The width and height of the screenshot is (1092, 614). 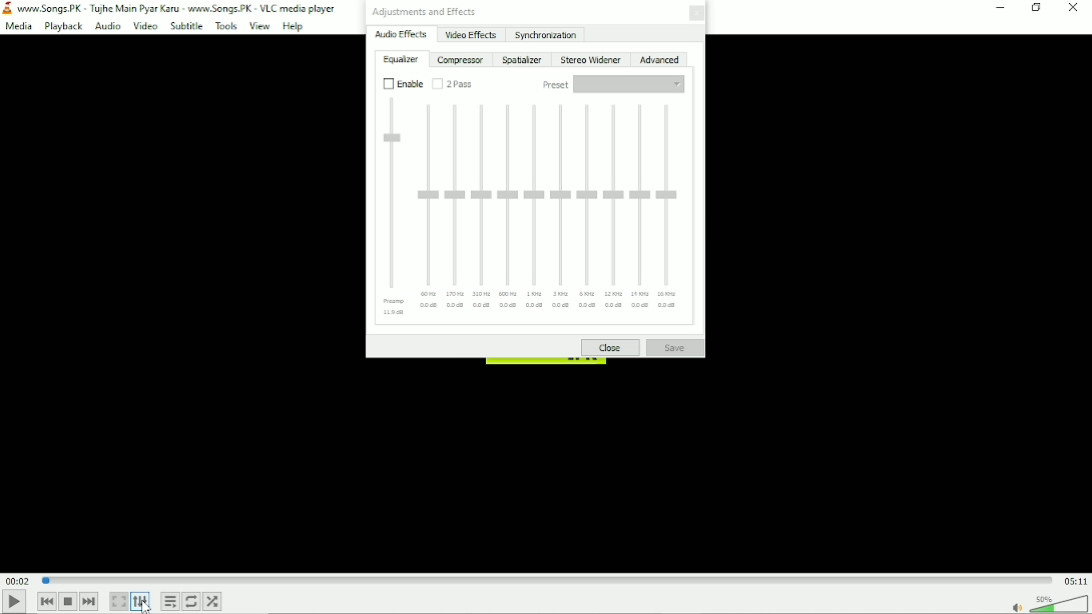 What do you see at coordinates (143, 604) in the screenshot?
I see `Cursor` at bounding box center [143, 604].